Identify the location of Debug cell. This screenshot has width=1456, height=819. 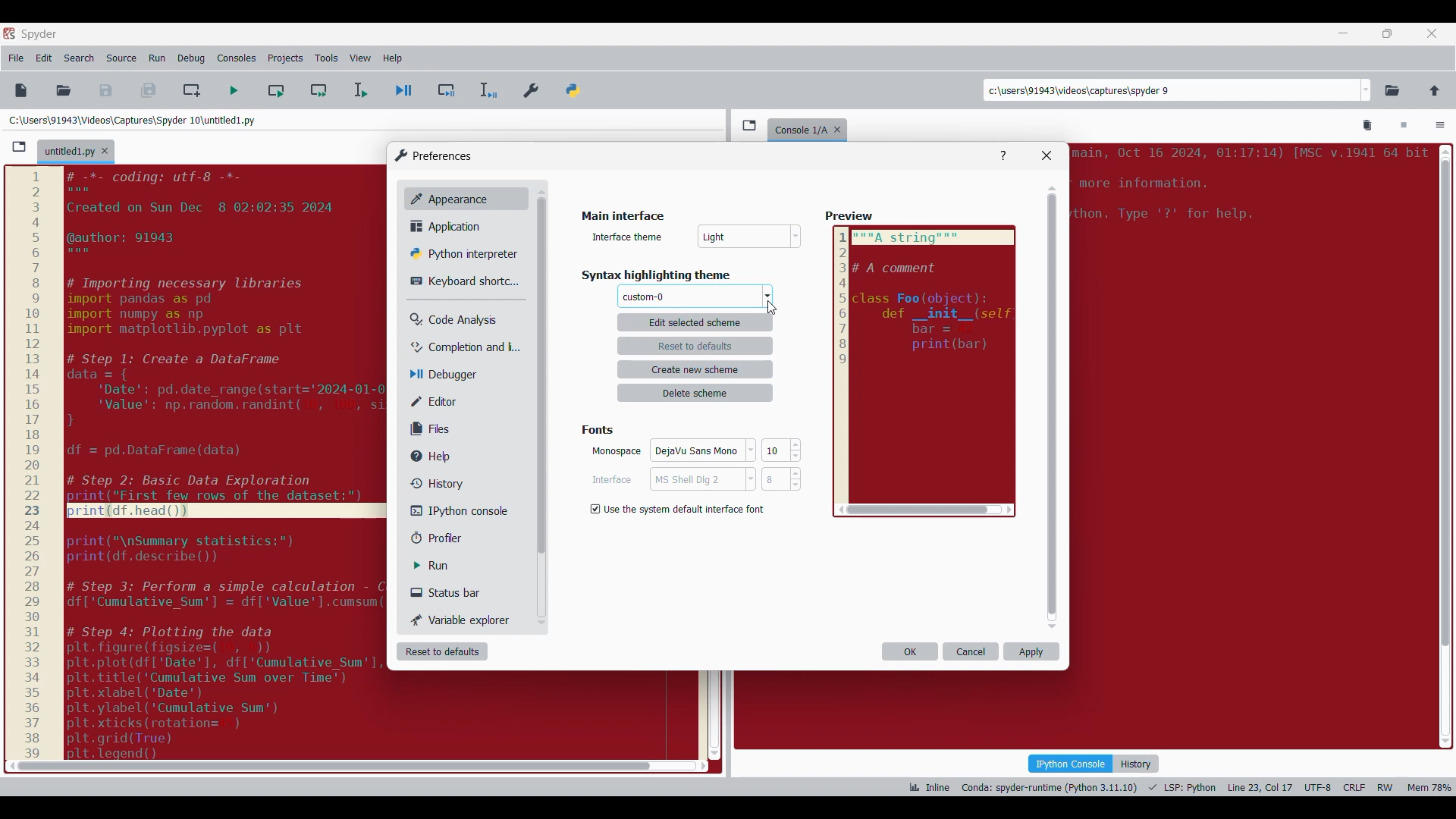
(447, 90).